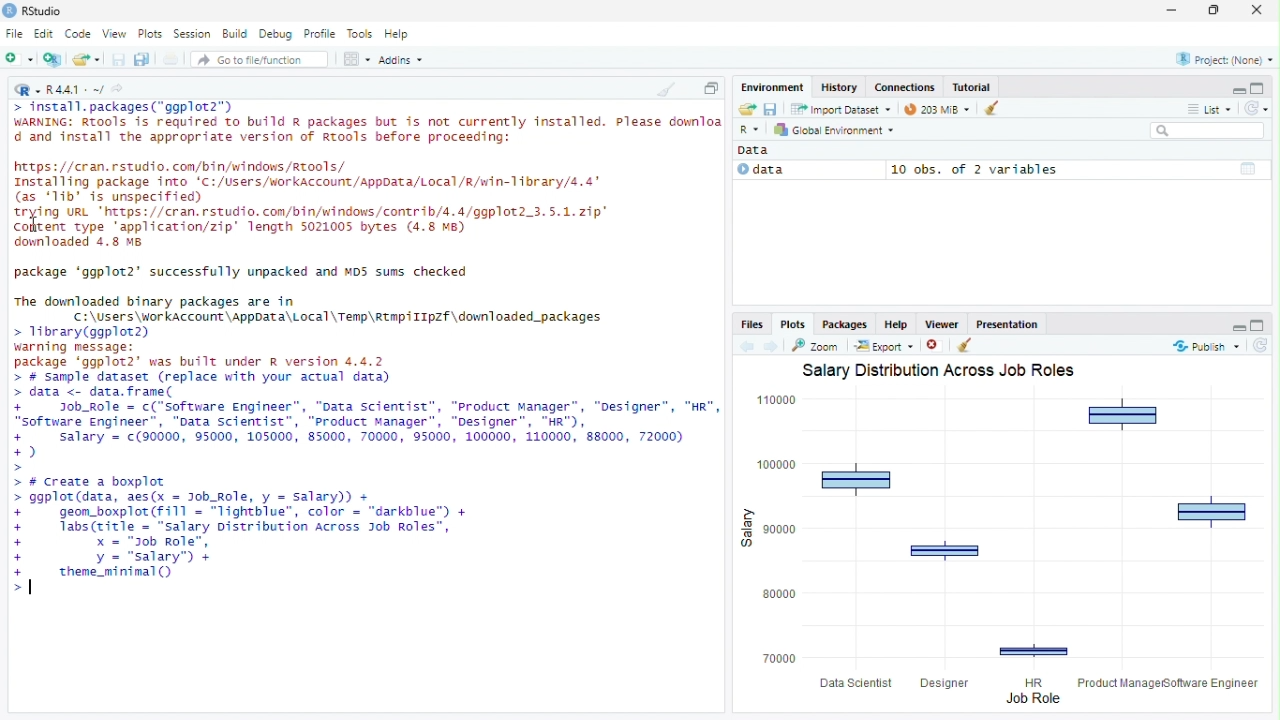 The image size is (1280, 720). Describe the element at coordinates (818, 346) in the screenshot. I see `Zoom` at that location.